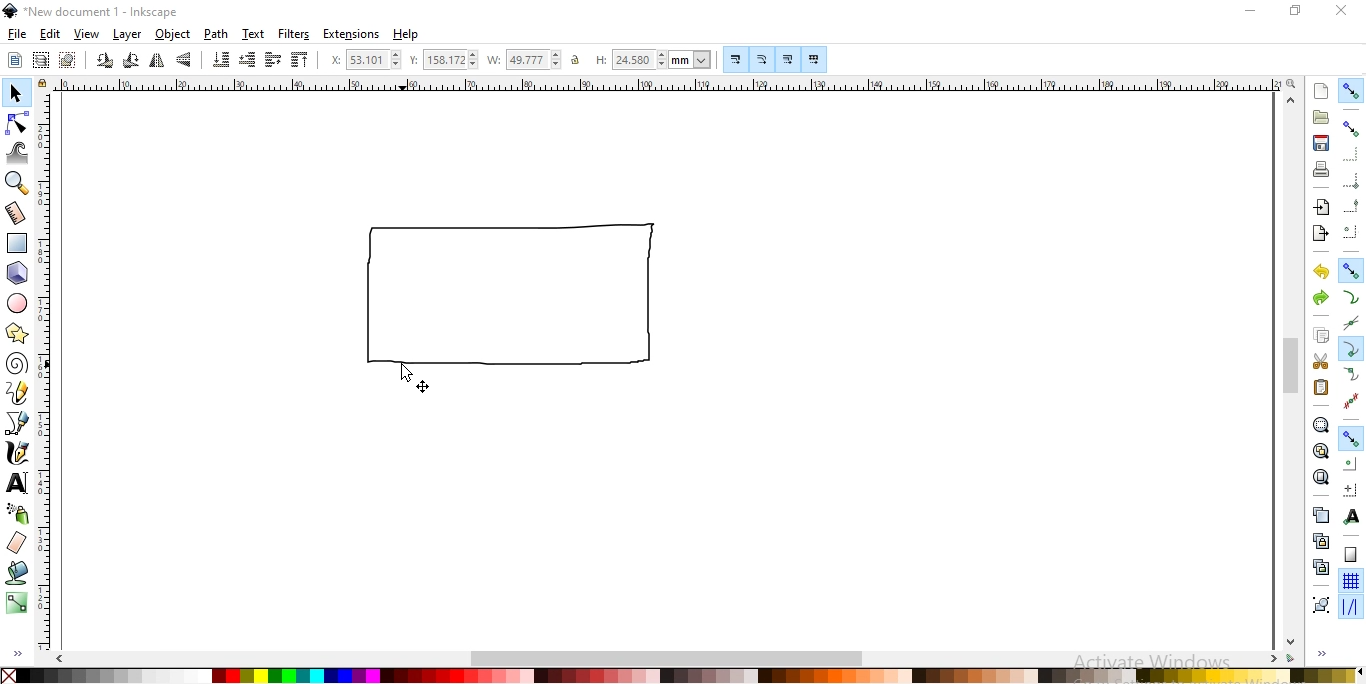 Image resolution: width=1366 pixels, height=684 pixels. What do you see at coordinates (651, 58) in the screenshot?
I see `height of selection` at bounding box center [651, 58].